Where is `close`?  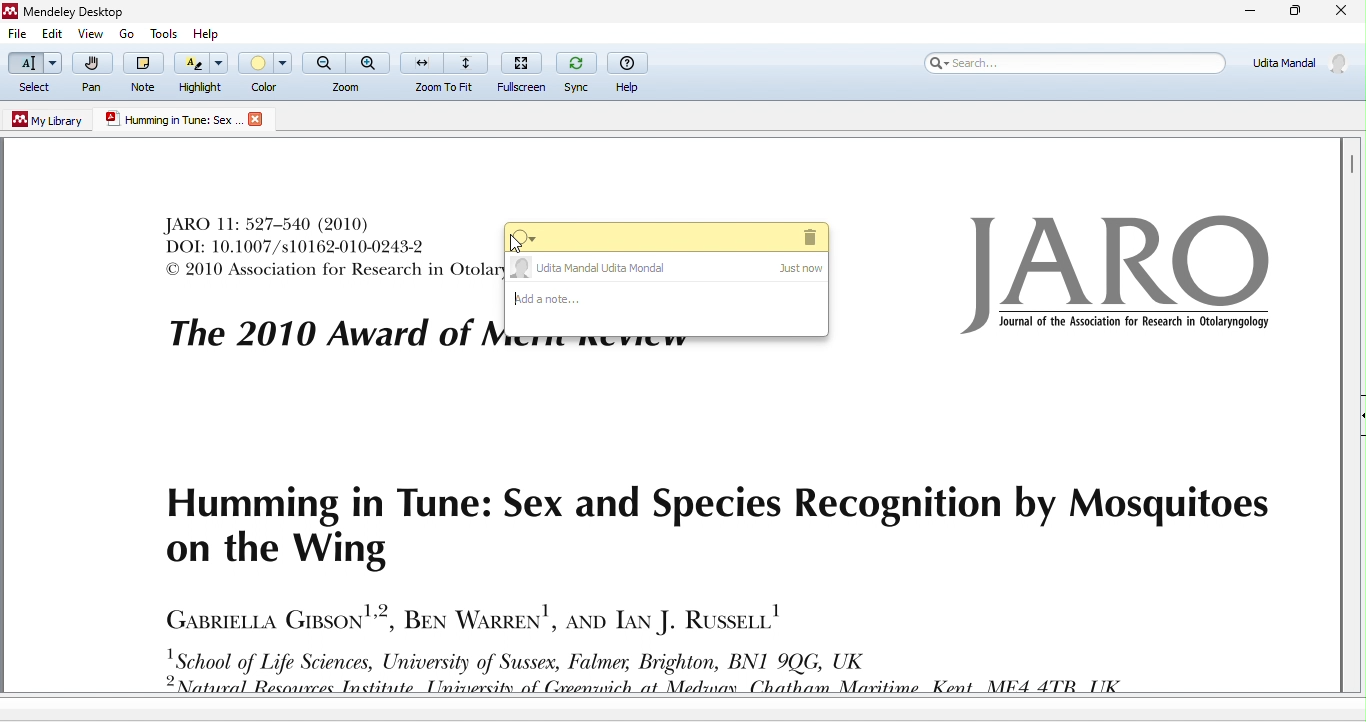
close is located at coordinates (257, 120).